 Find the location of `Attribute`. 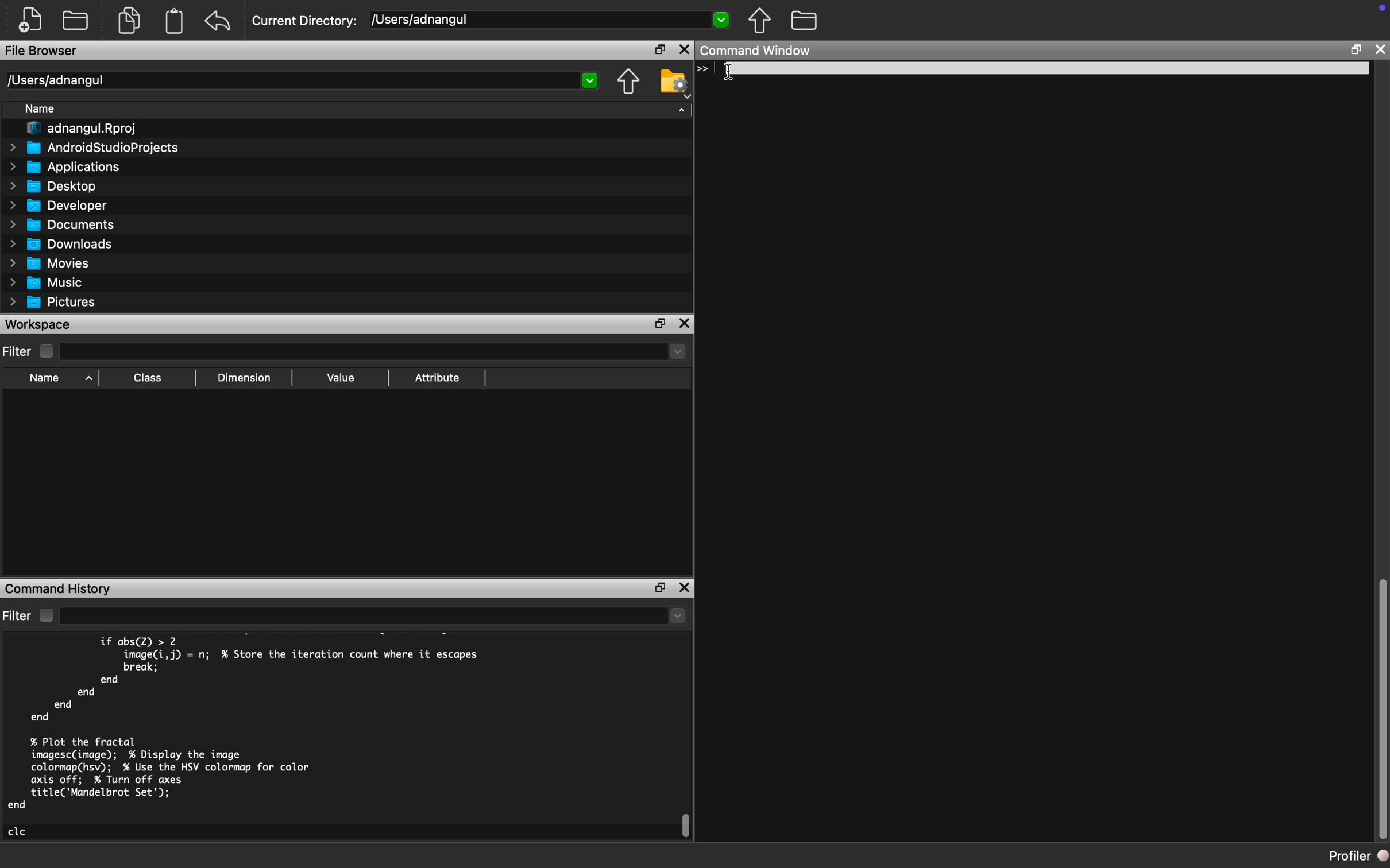

Attribute is located at coordinates (438, 377).